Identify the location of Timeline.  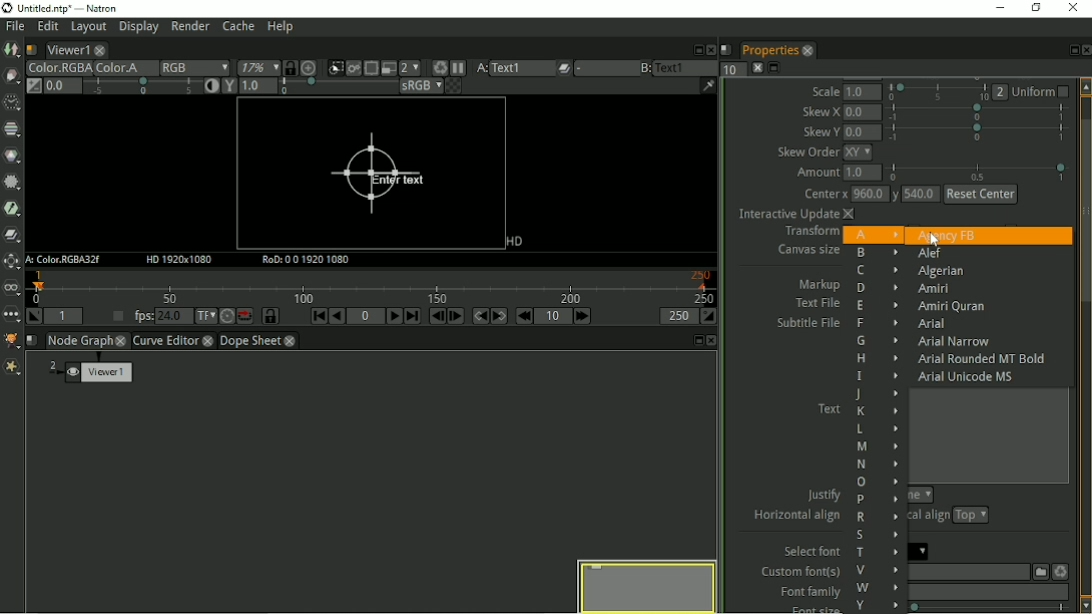
(374, 287).